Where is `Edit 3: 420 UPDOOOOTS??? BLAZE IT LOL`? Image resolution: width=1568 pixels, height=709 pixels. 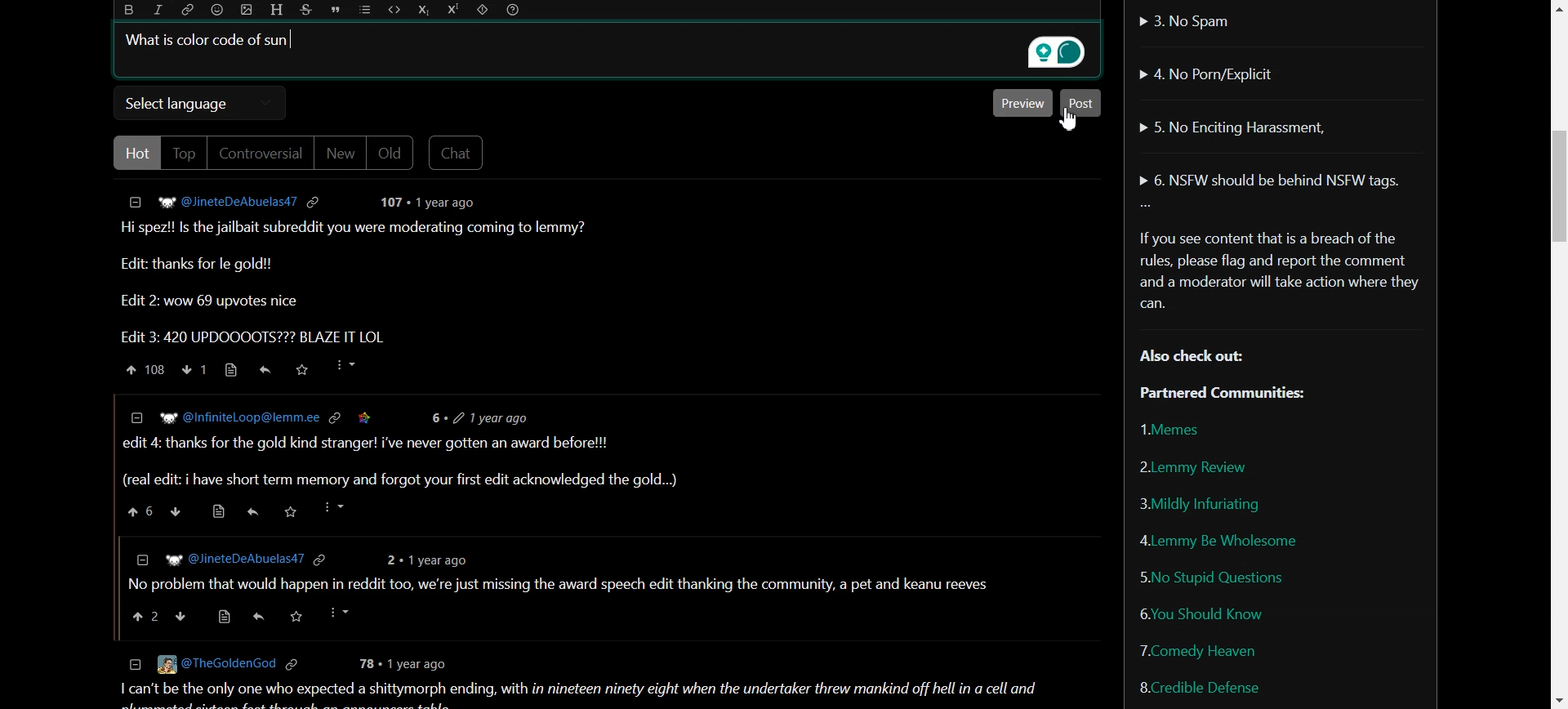
Edit 3: 420 UPDOOOOTS??? BLAZE IT LOL is located at coordinates (243, 338).